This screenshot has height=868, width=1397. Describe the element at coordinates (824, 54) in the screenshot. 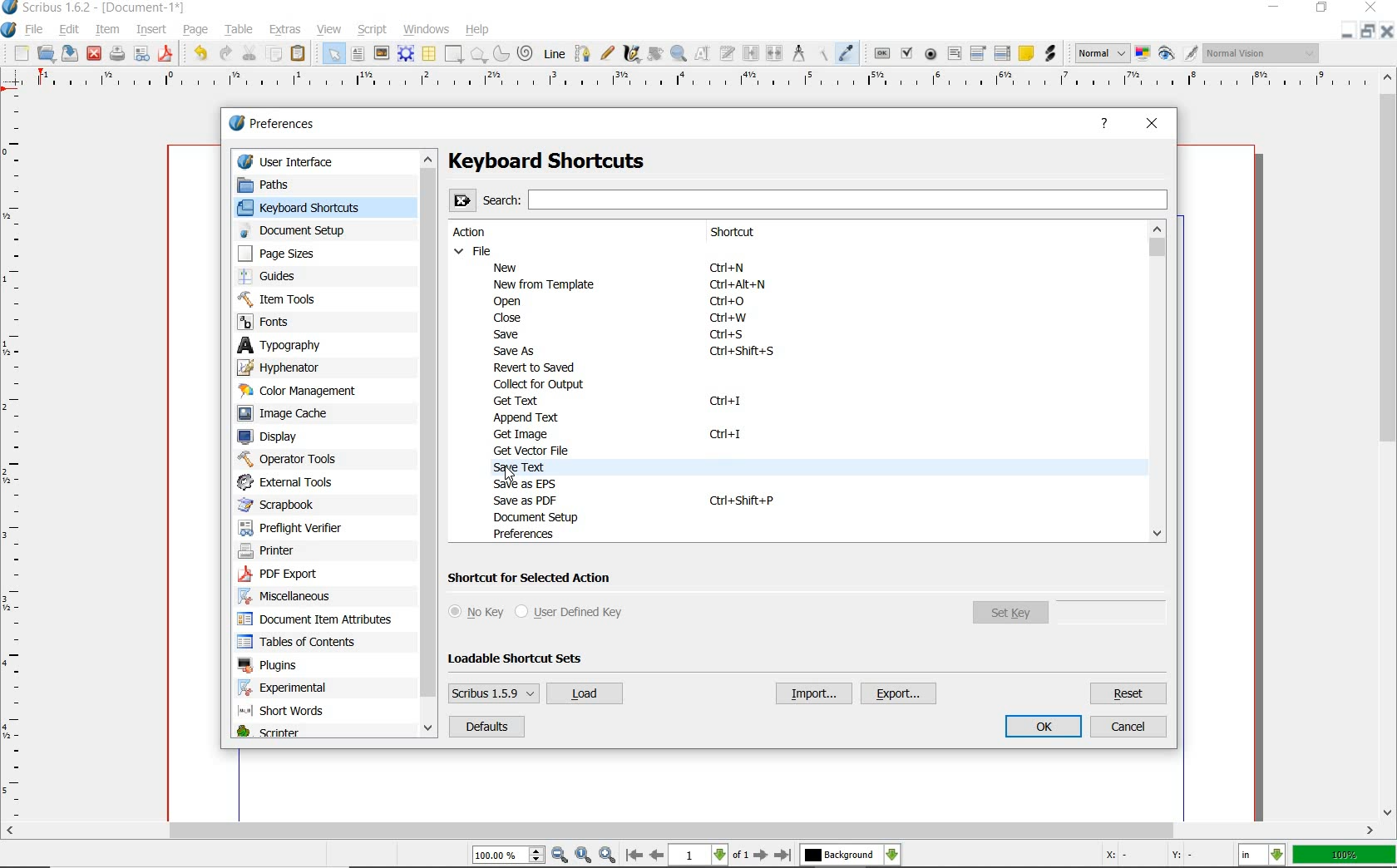

I see `copy item properties` at that location.